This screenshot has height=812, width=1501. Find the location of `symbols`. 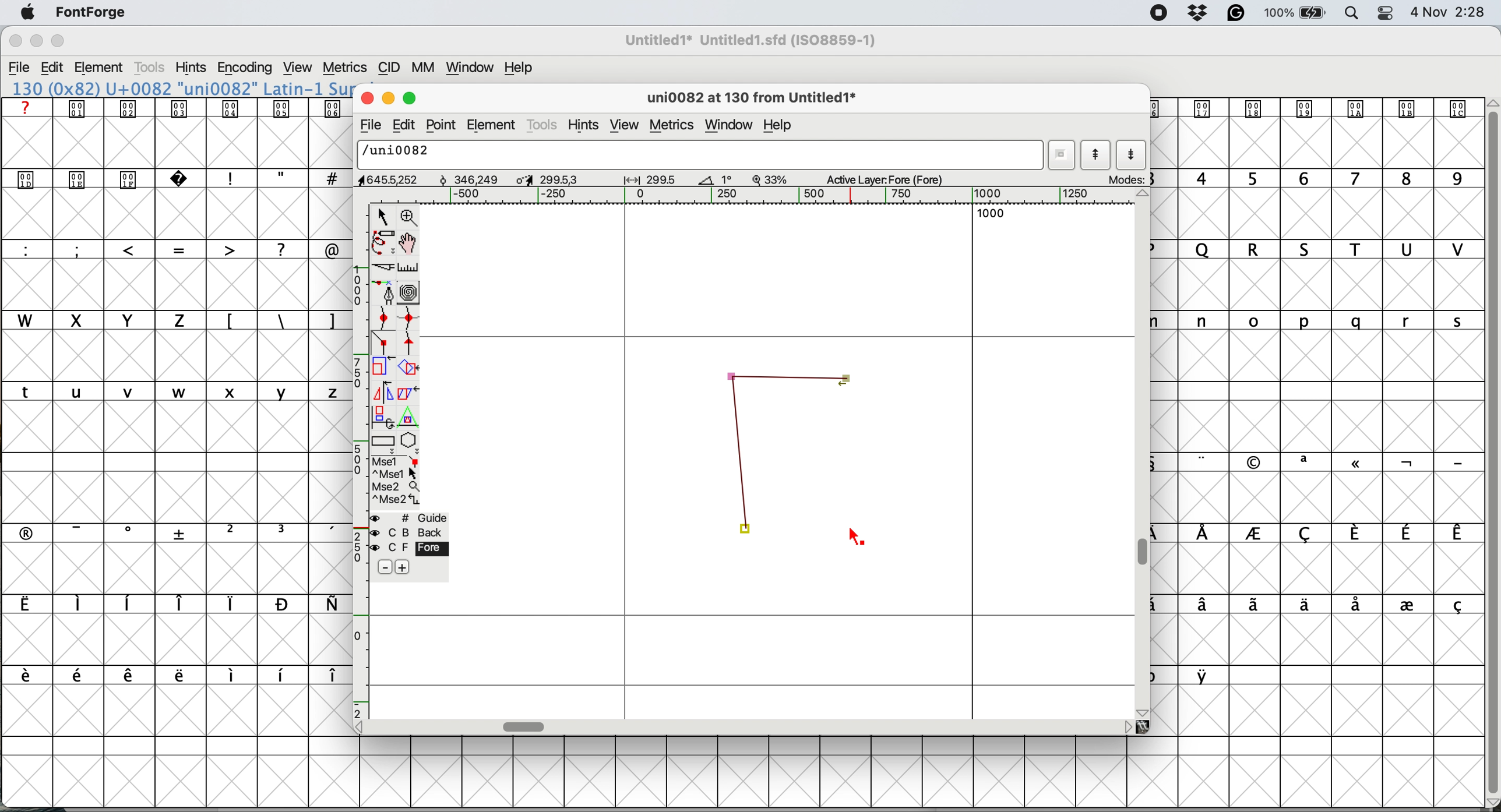

symbols is located at coordinates (281, 322).